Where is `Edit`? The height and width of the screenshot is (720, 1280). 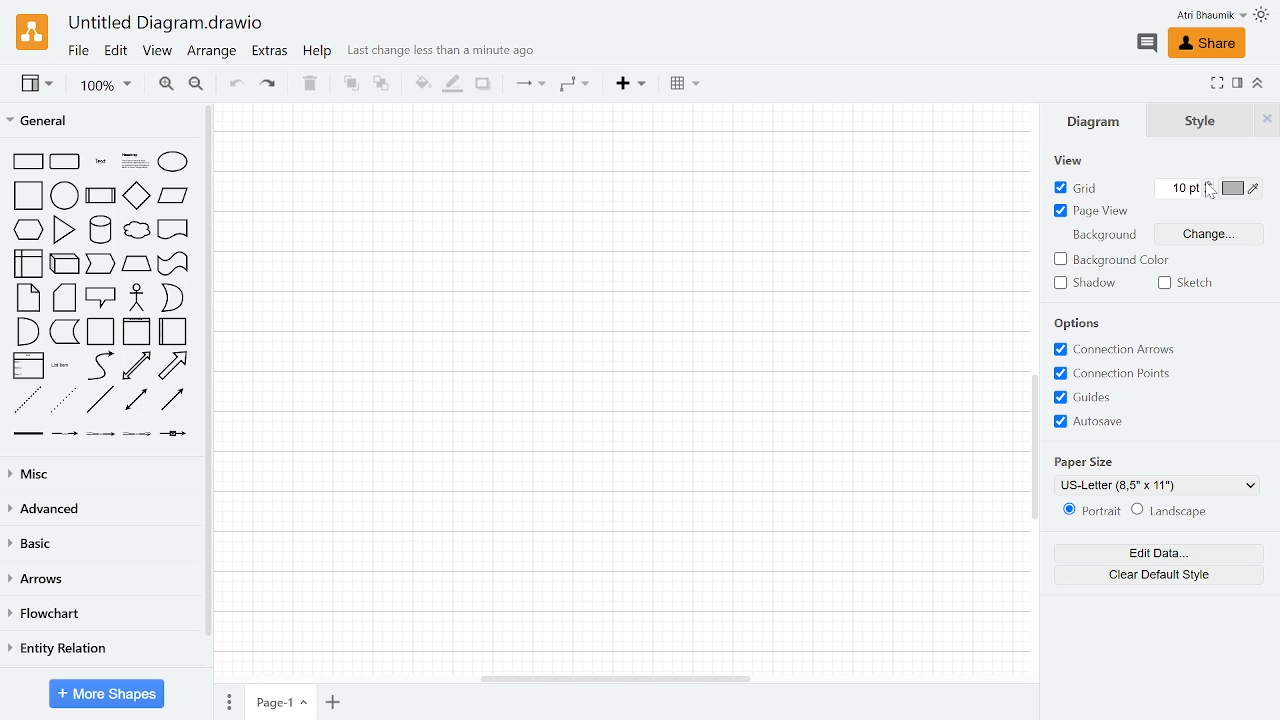
Edit is located at coordinates (118, 51).